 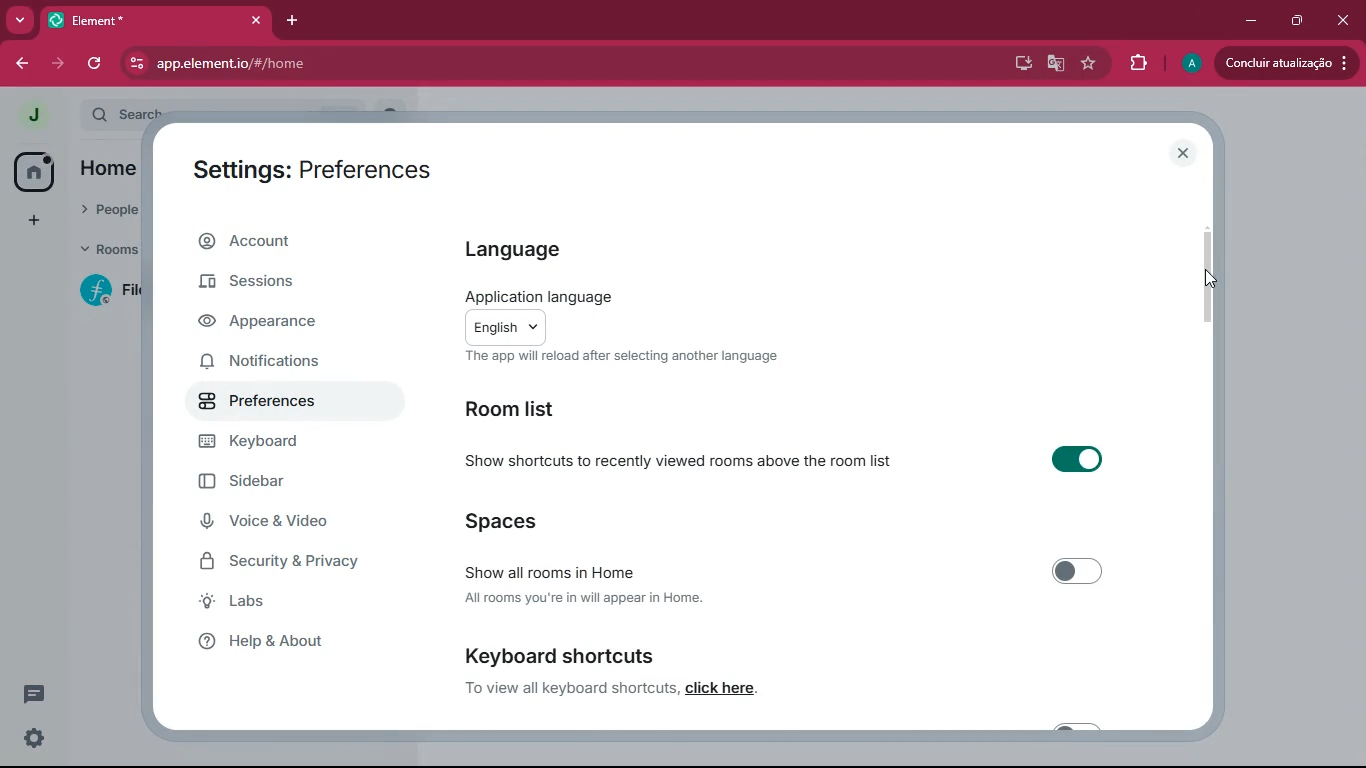 I want to click on add tab, so click(x=293, y=22).